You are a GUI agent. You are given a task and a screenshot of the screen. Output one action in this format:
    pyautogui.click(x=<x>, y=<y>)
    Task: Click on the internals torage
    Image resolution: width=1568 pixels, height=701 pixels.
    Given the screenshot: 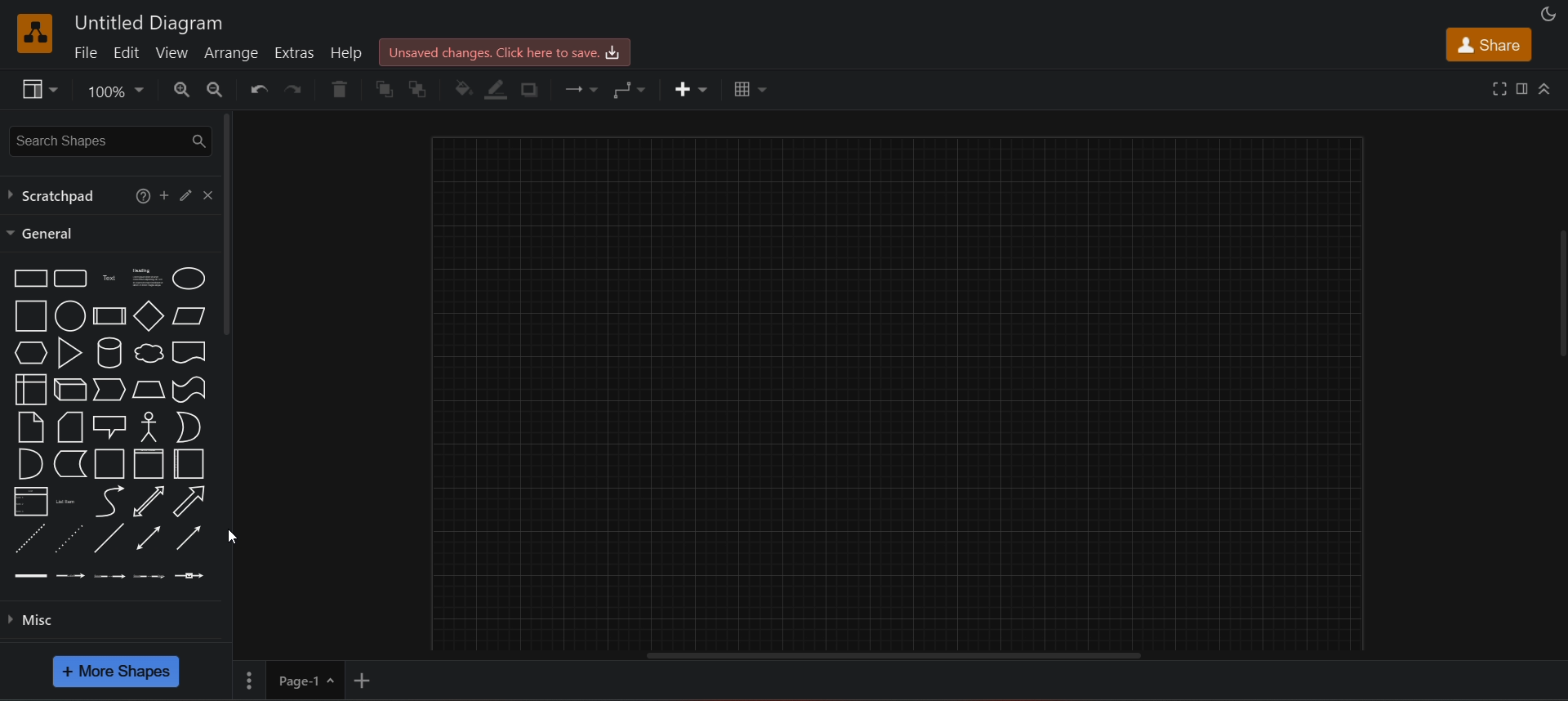 What is the action you would take?
    pyautogui.click(x=31, y=388)
    